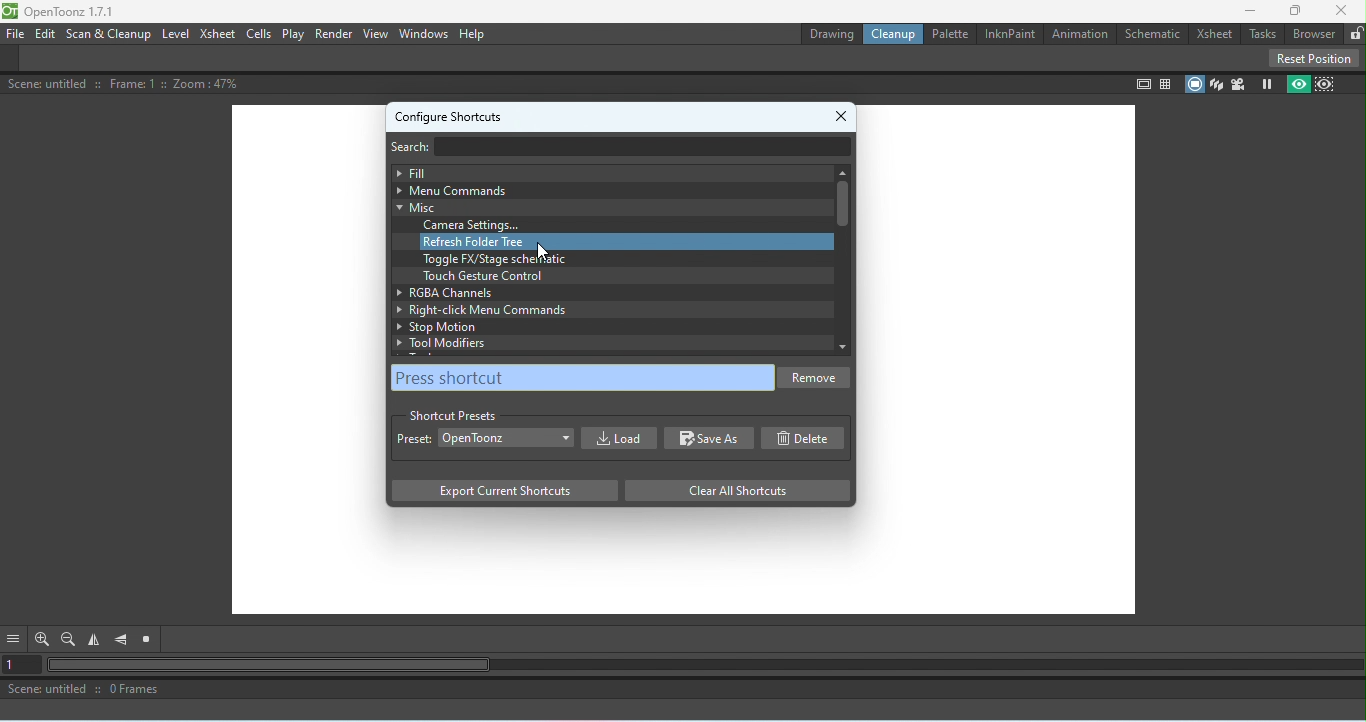 The height and width of the screenshot is (722, 1366). Describe the element at coordinates (1213, 32) in the screenshot. I see `Xsheet` at that location.